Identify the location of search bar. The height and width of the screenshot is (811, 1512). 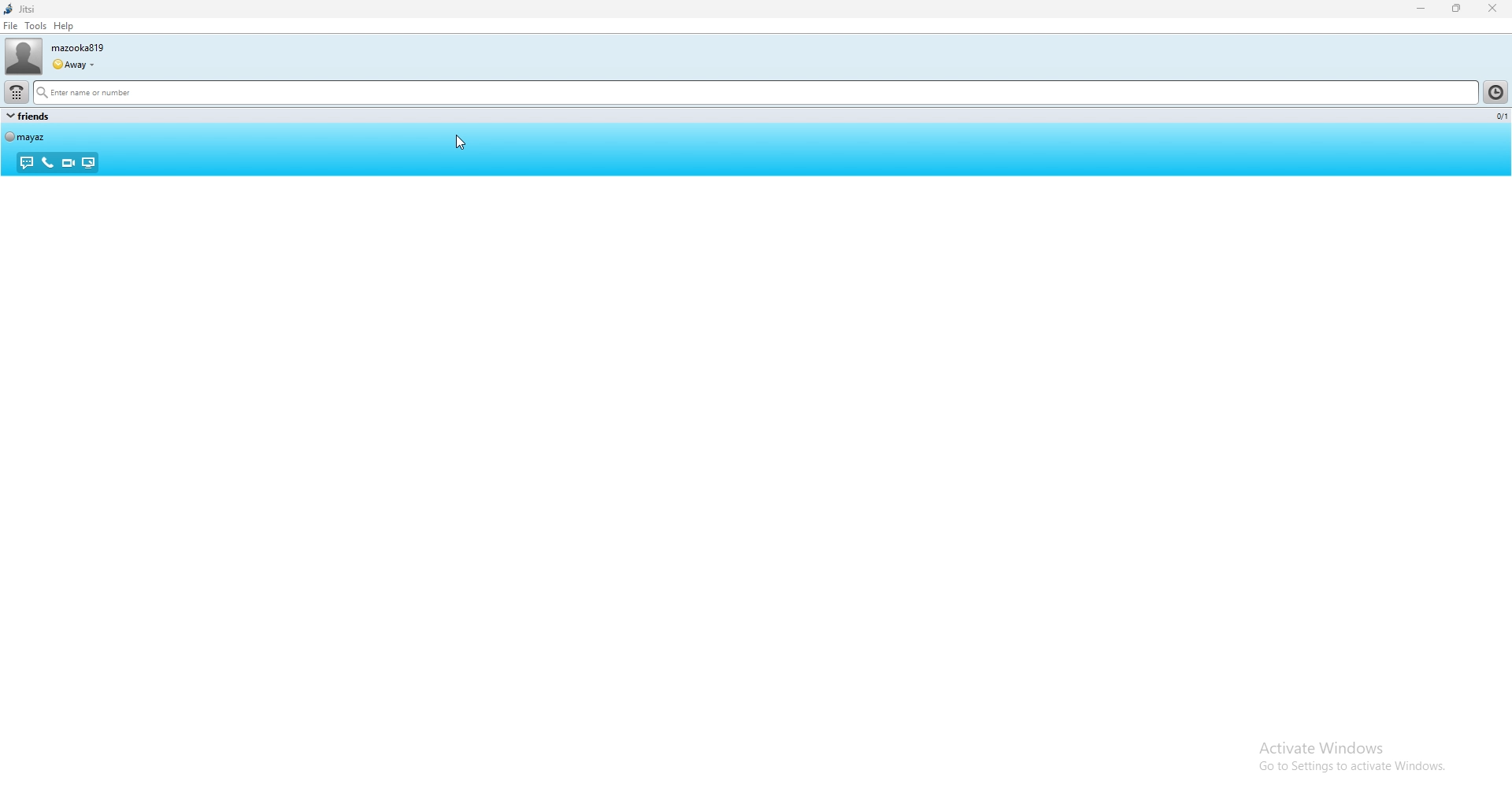
(756, 94).